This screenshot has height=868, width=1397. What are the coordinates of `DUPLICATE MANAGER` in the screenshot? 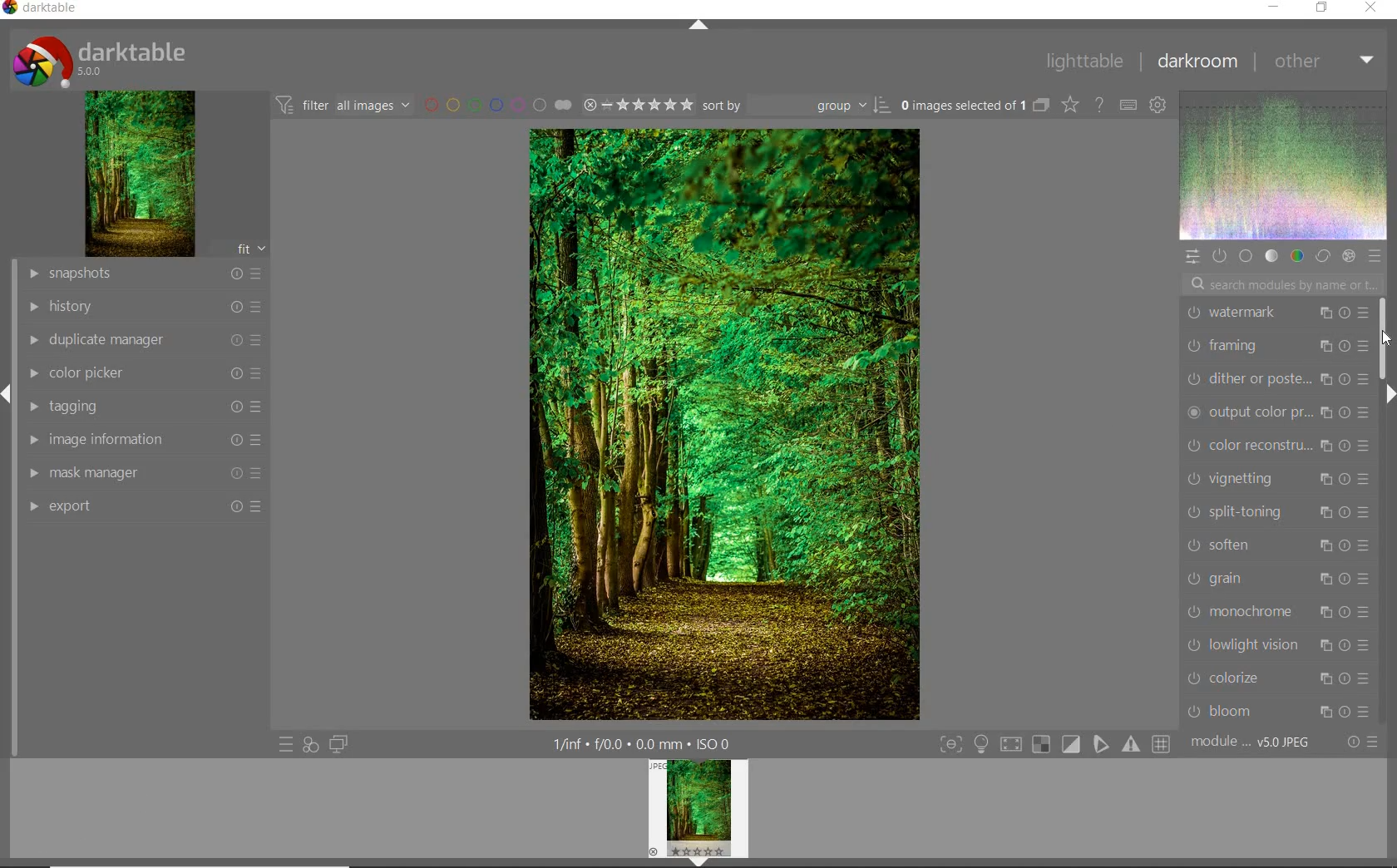 It's located at (143, 338).